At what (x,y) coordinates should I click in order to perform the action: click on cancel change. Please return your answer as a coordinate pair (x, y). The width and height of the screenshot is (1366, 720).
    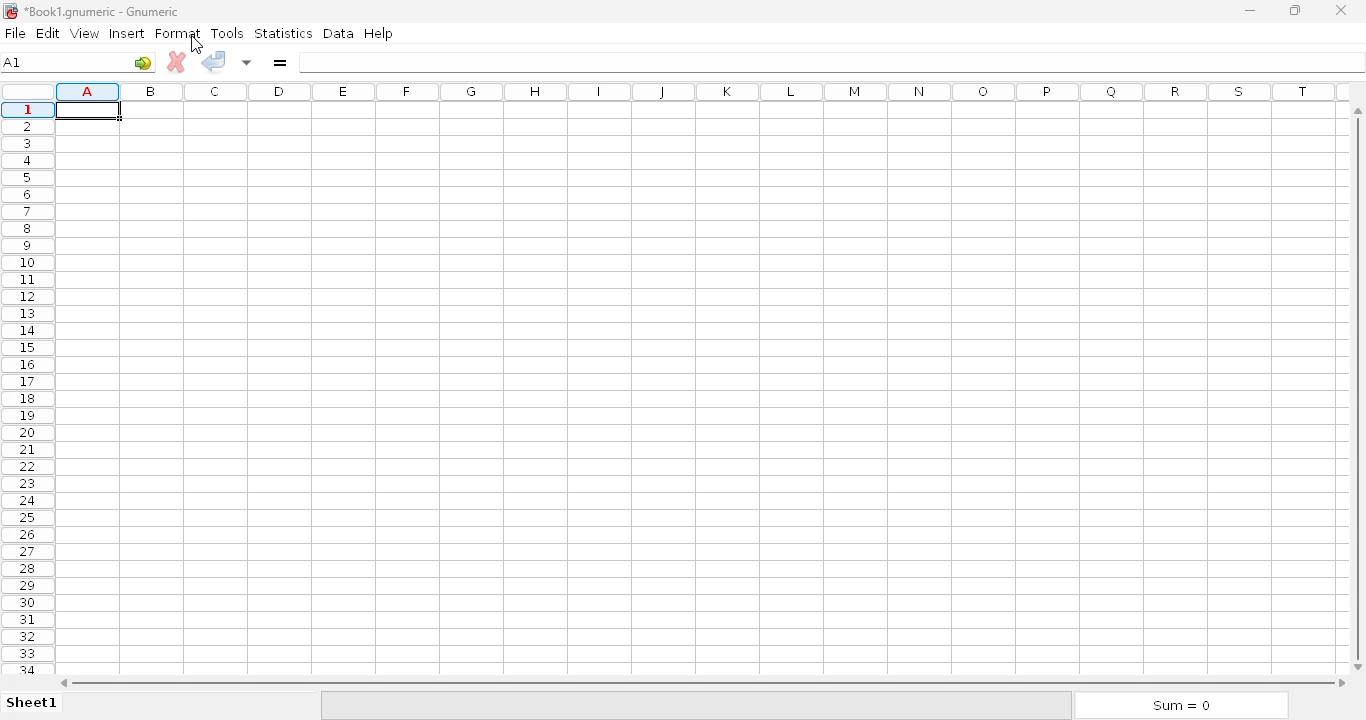
    Looking at the image, I should click on (177, 62).